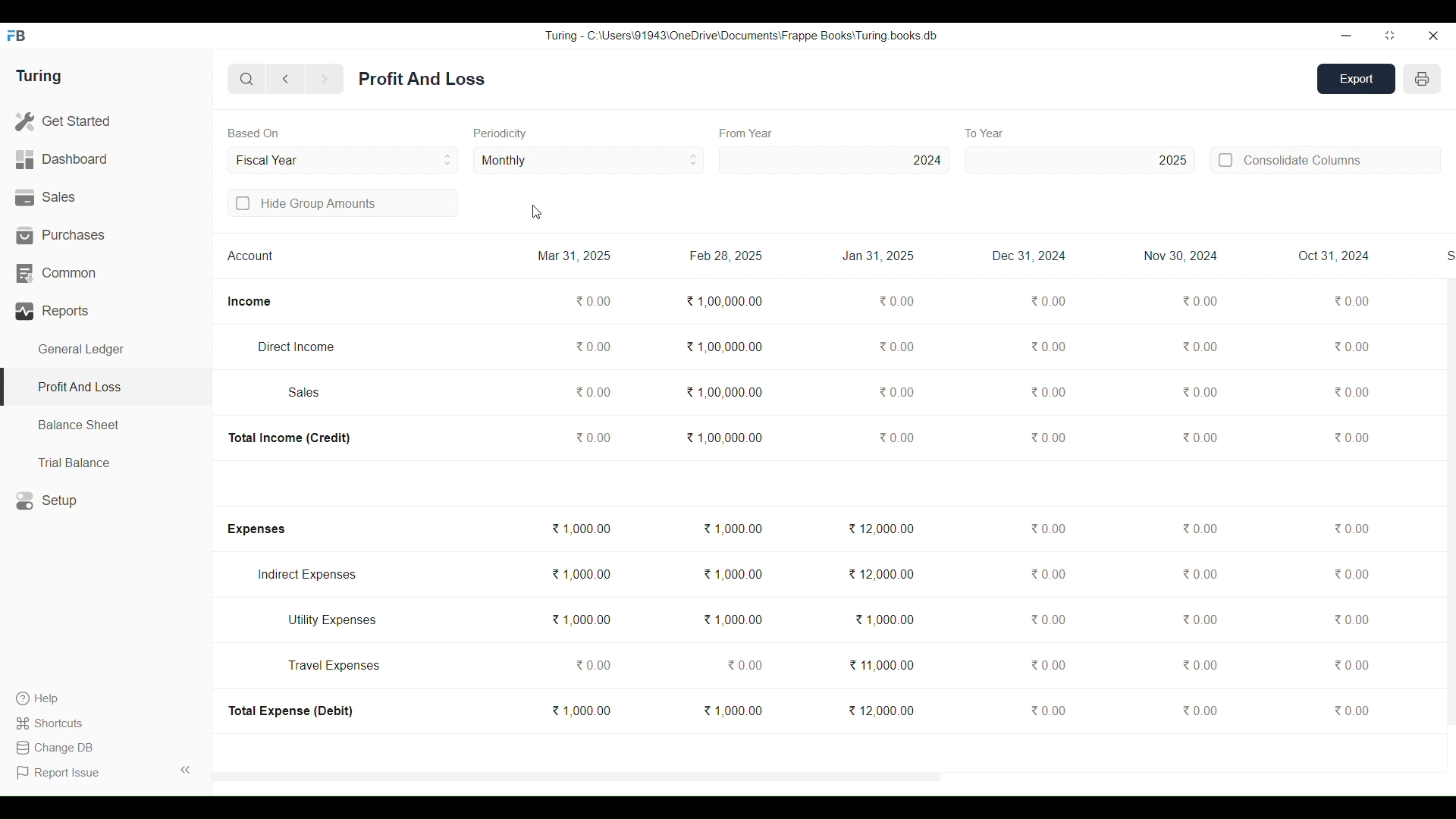 Image resolution: width=1456 pixels, height=819 pixels. Describe the element at coordinates (52, 723) in the screenshot. I see `Shortcuts` at that location.